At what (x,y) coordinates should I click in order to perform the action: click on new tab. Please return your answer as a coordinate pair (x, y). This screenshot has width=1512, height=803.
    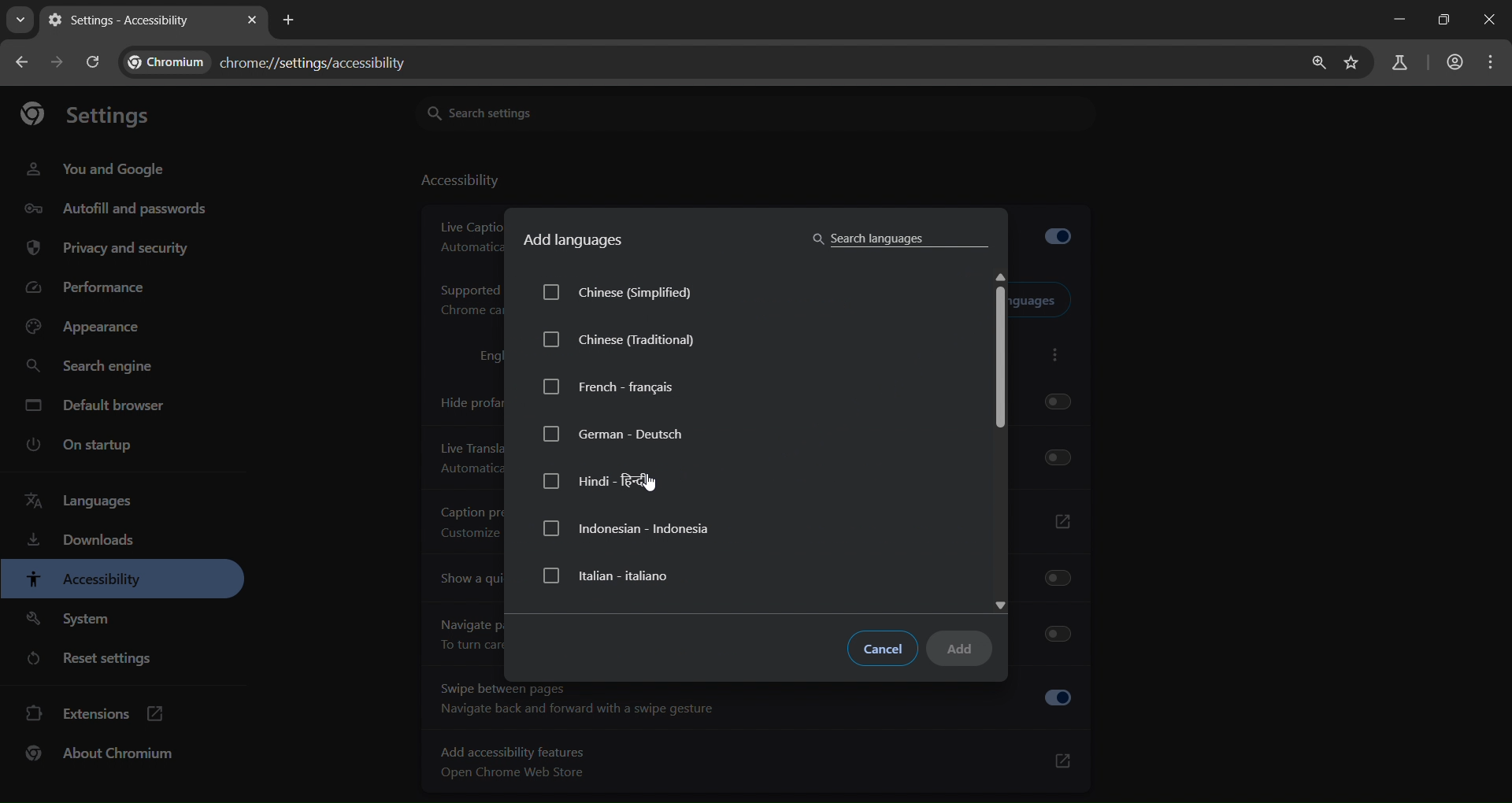
    Looking at the image, I should click on (291, 21).